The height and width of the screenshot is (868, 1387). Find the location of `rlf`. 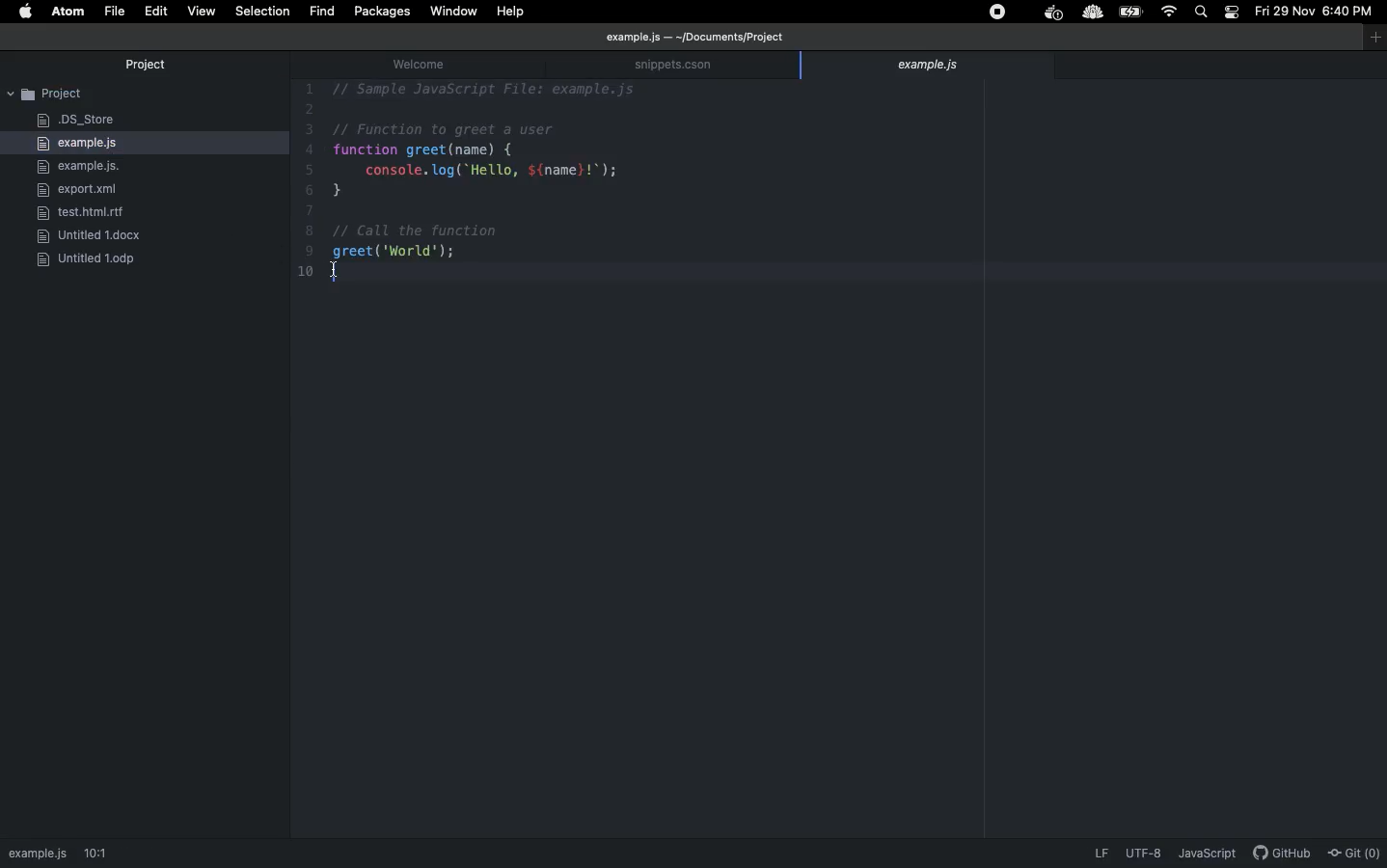

rlf is located at coordinates (82, 213).